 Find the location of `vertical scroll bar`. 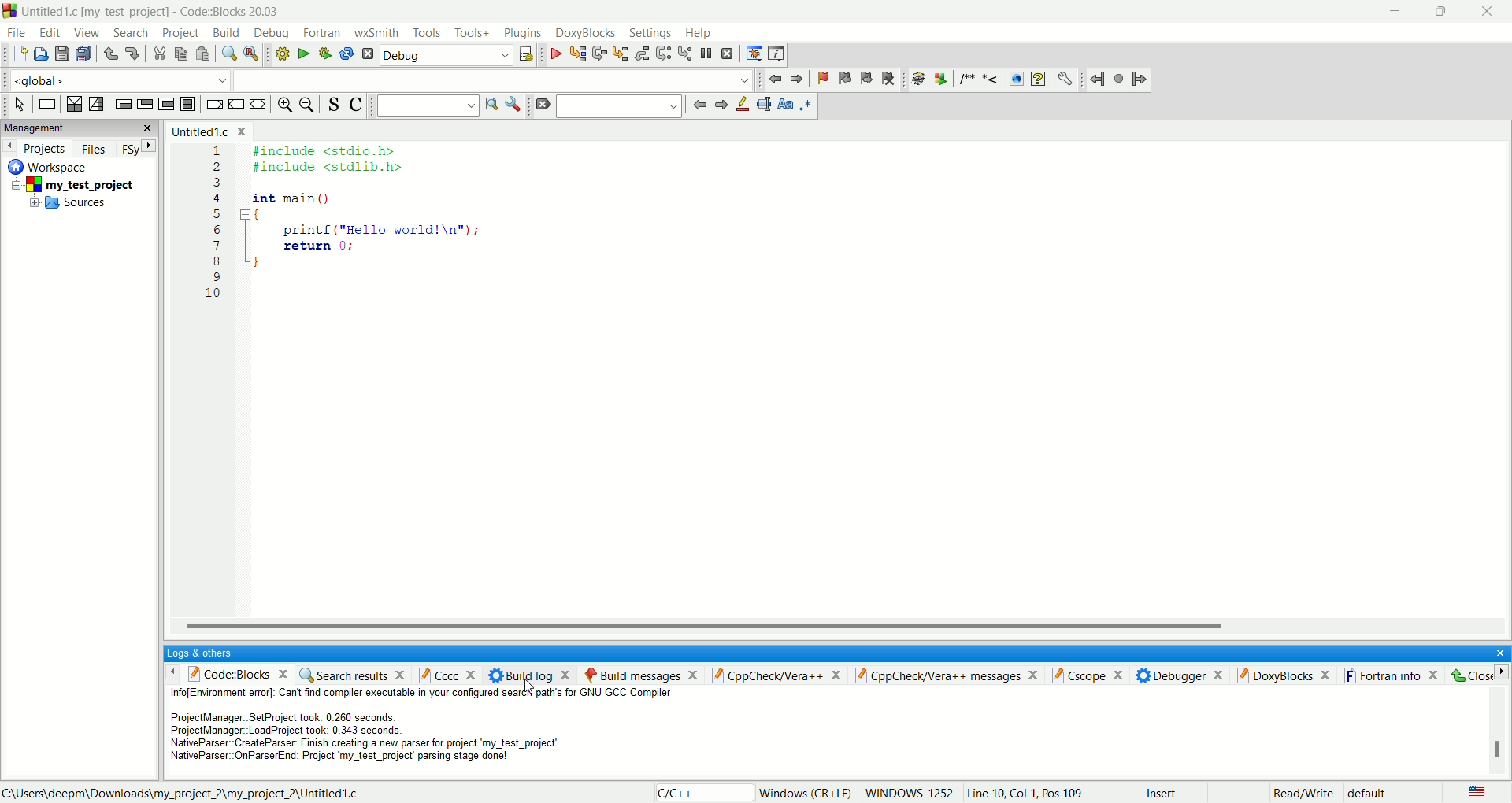

vertical scroll bar is located at coordinates (1499, 731).